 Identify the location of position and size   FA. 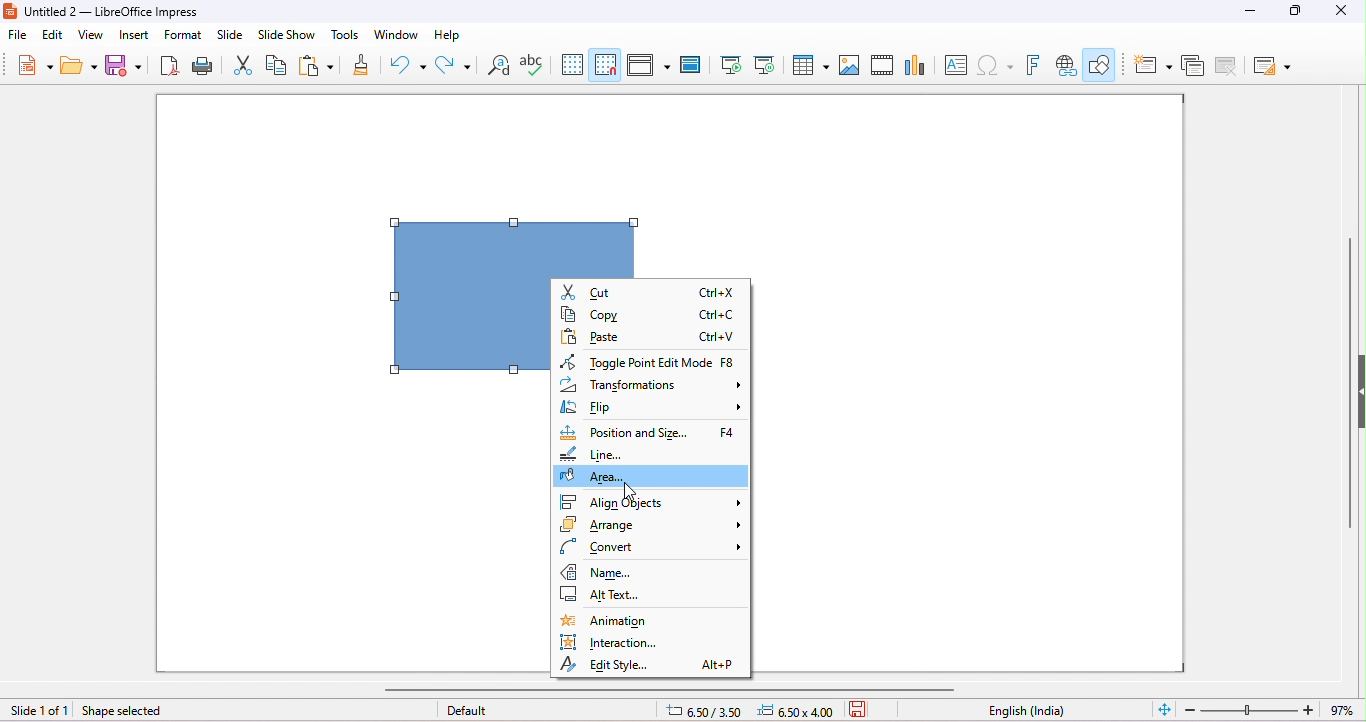
(649, 432).